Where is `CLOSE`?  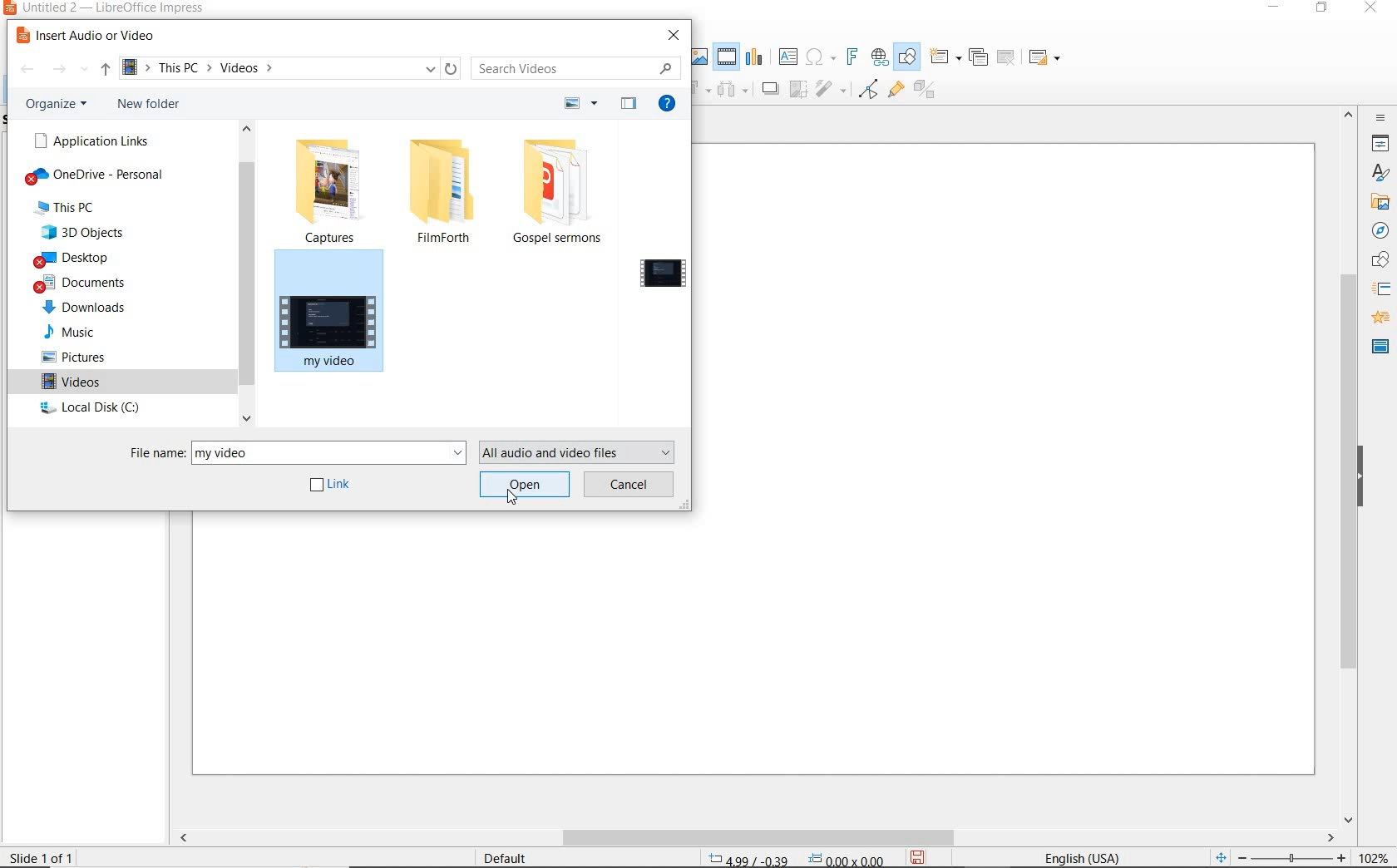
CLOSE is located at coordinates (673, 34).